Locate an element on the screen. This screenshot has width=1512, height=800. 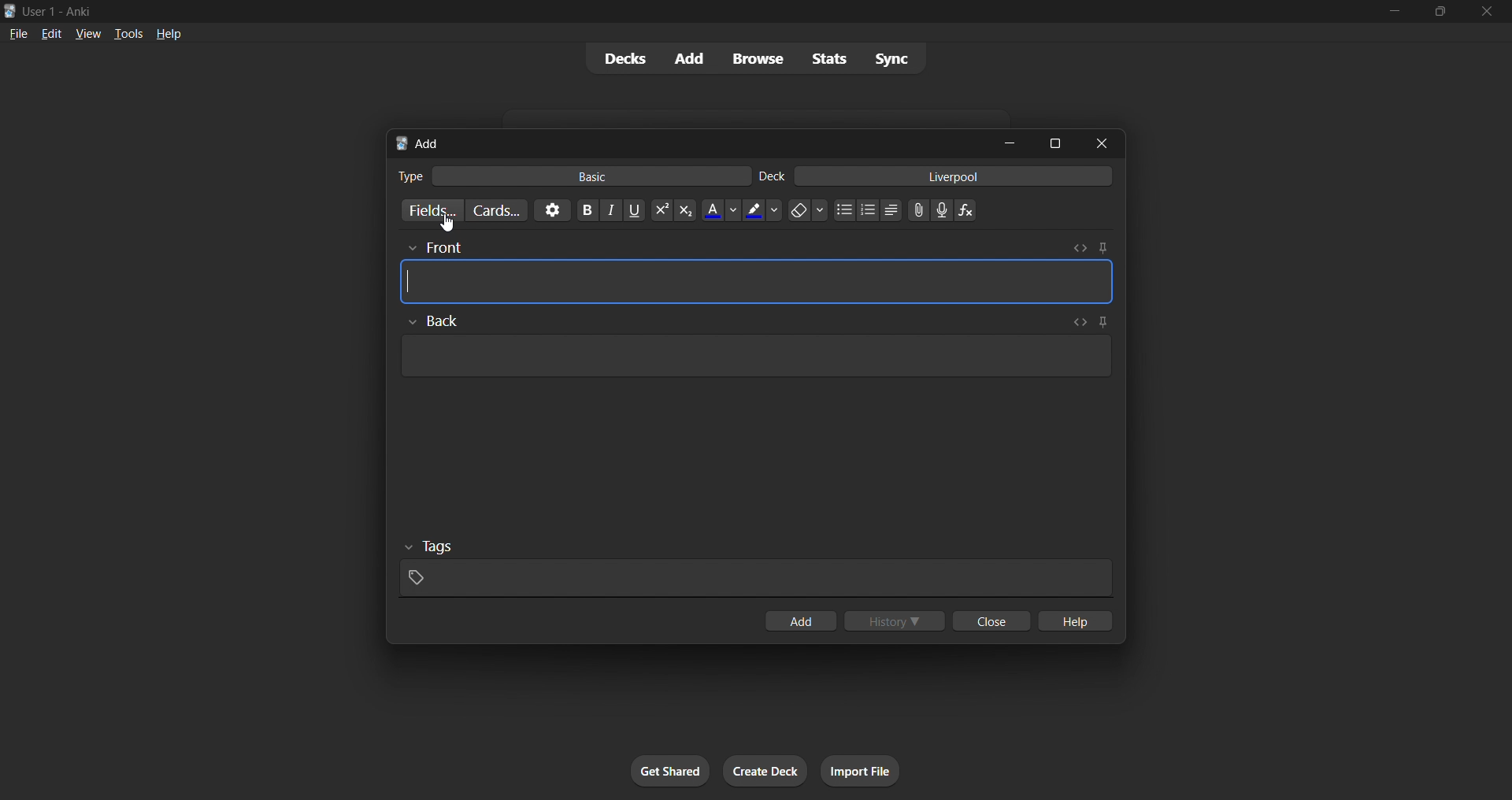
close is located at coordinates (1102, 143).